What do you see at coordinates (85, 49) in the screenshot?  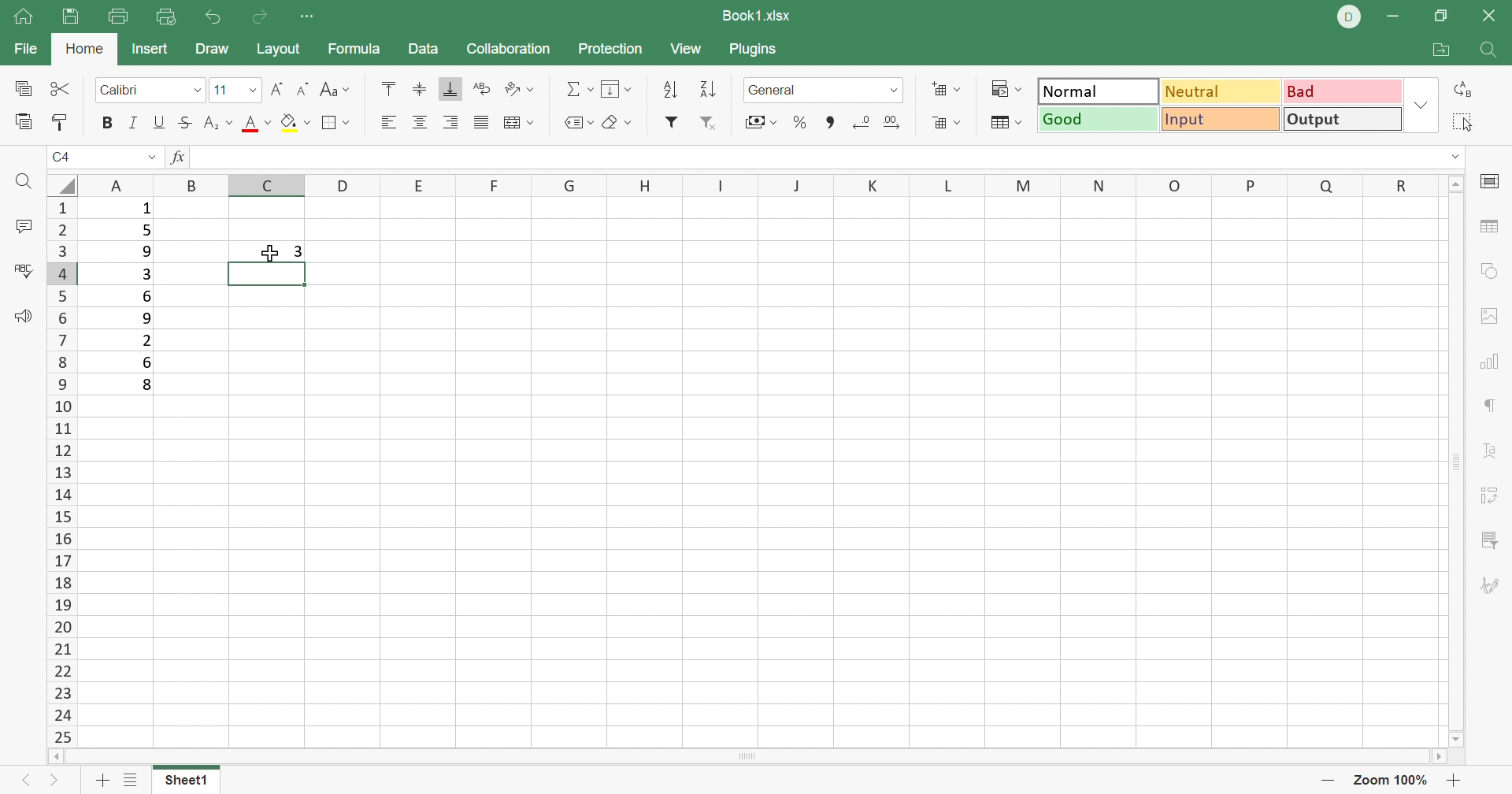 I see `Home` at bounding box center [85, 49].